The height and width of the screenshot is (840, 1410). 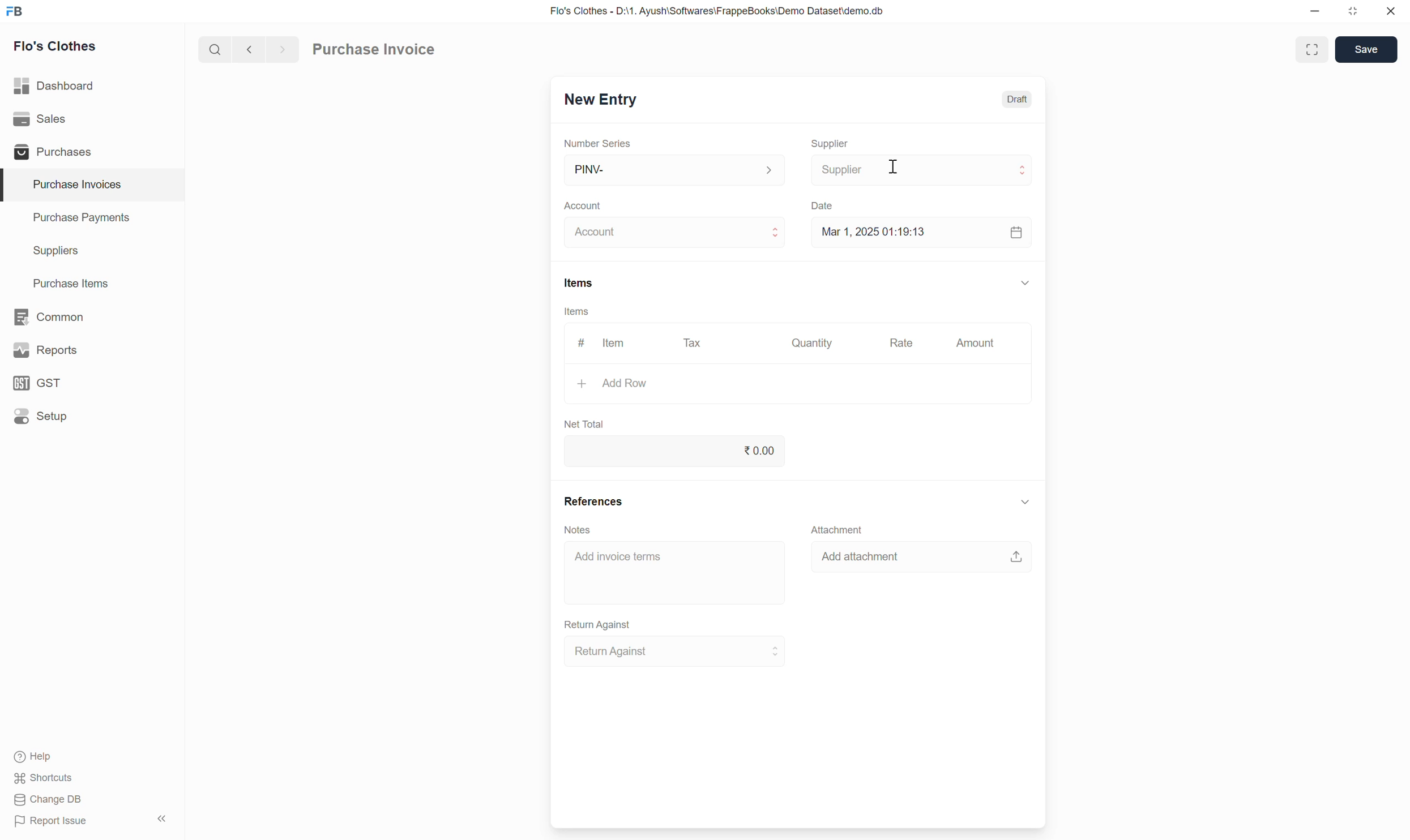 What do you see at coordinates (576, 311) in the screenshot?
I see `Items` at bounding box center [576, 311].